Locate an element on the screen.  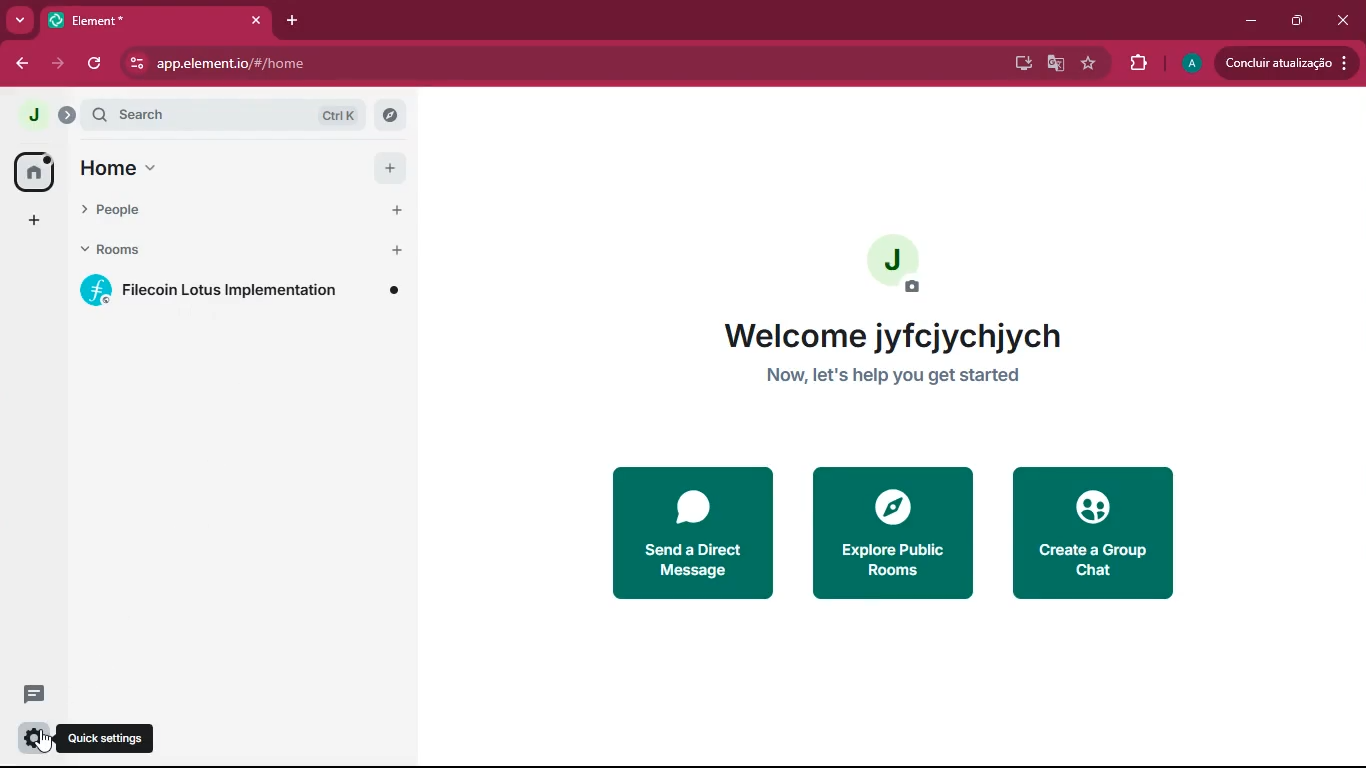
google translate is located at coordinates (1056, 66).